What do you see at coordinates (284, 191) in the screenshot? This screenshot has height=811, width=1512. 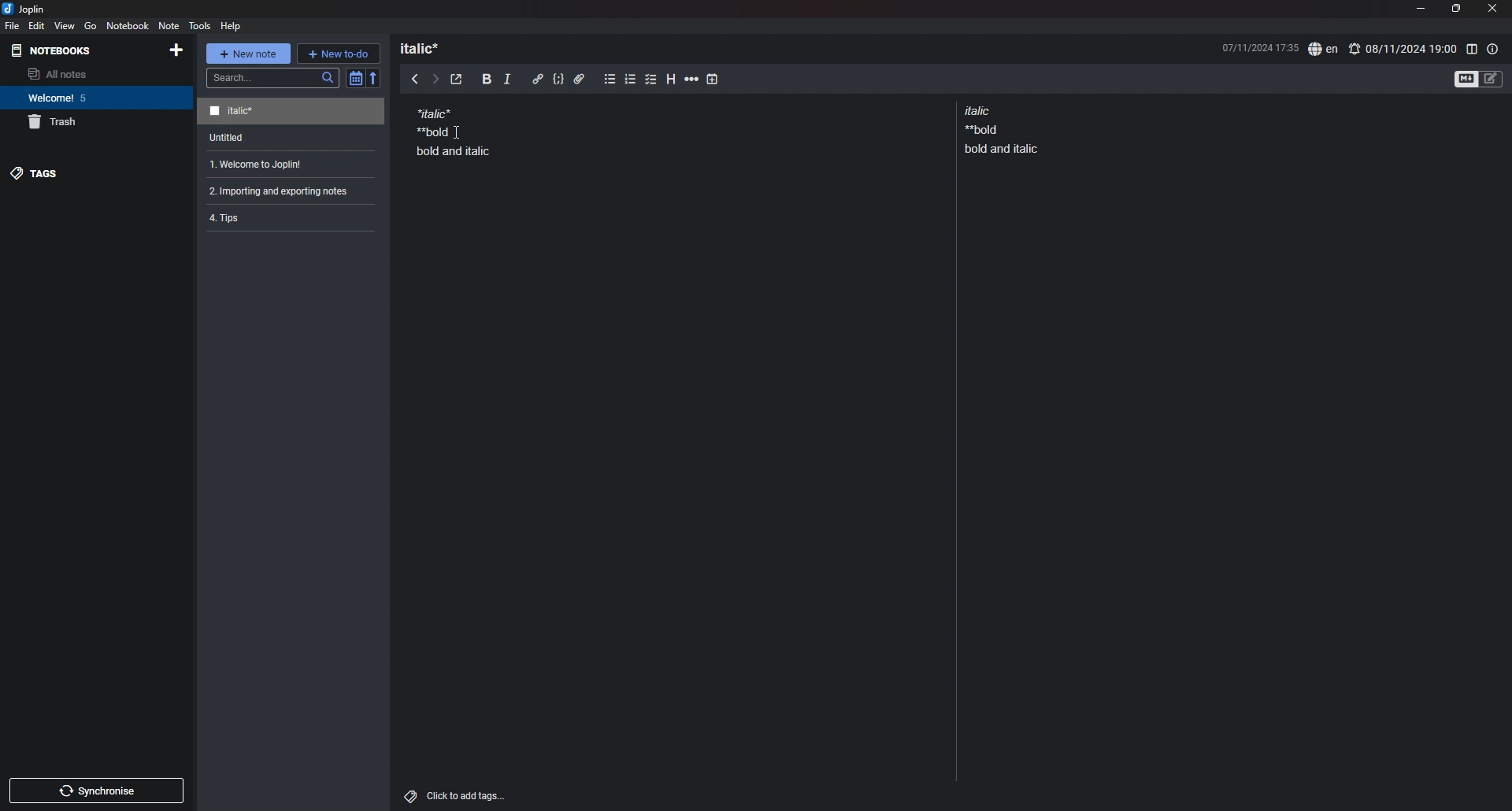 I see `note` at bounding box center [284, 191].